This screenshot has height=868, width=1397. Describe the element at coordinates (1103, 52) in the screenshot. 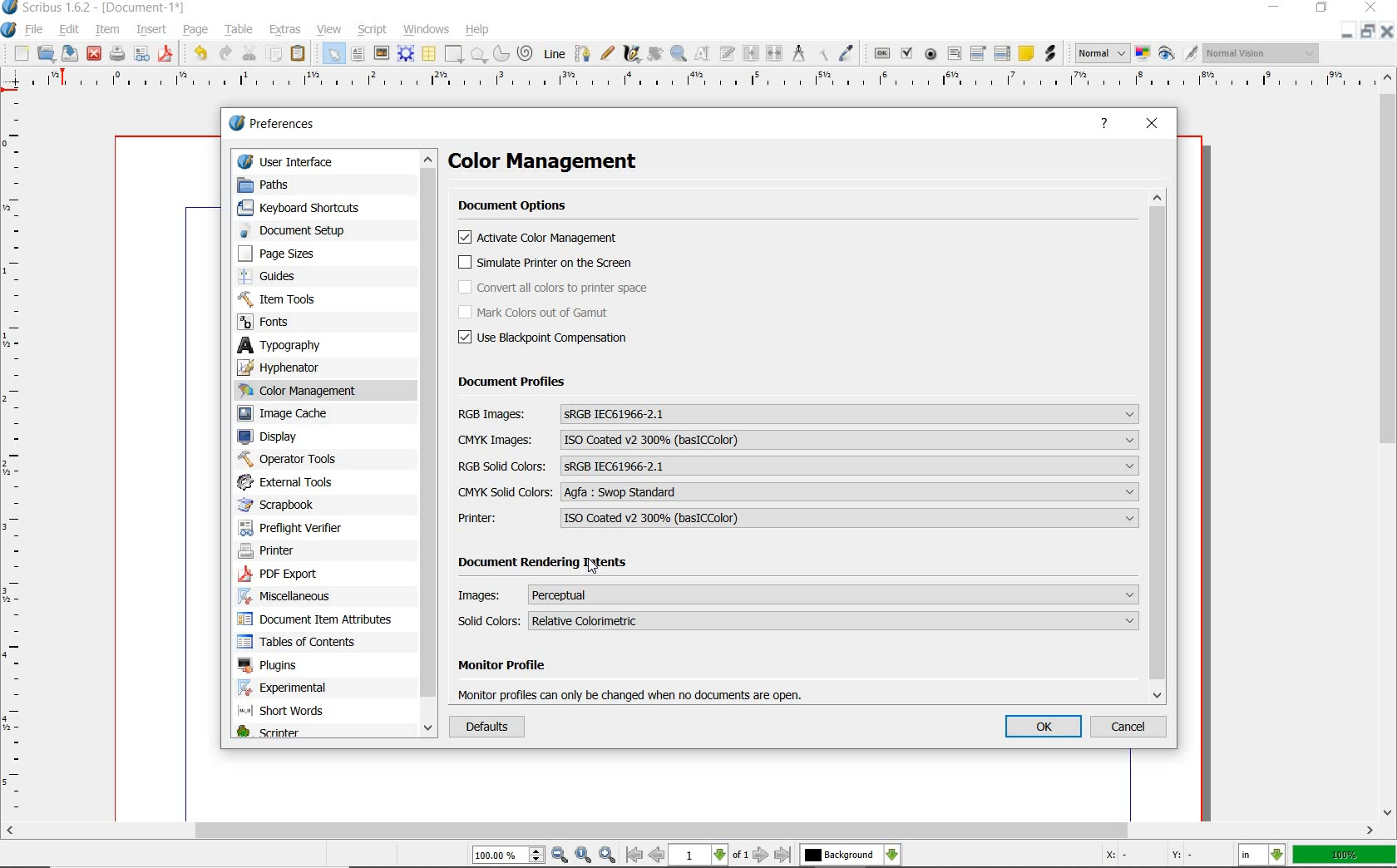

I see `select image preview mode` at that location.